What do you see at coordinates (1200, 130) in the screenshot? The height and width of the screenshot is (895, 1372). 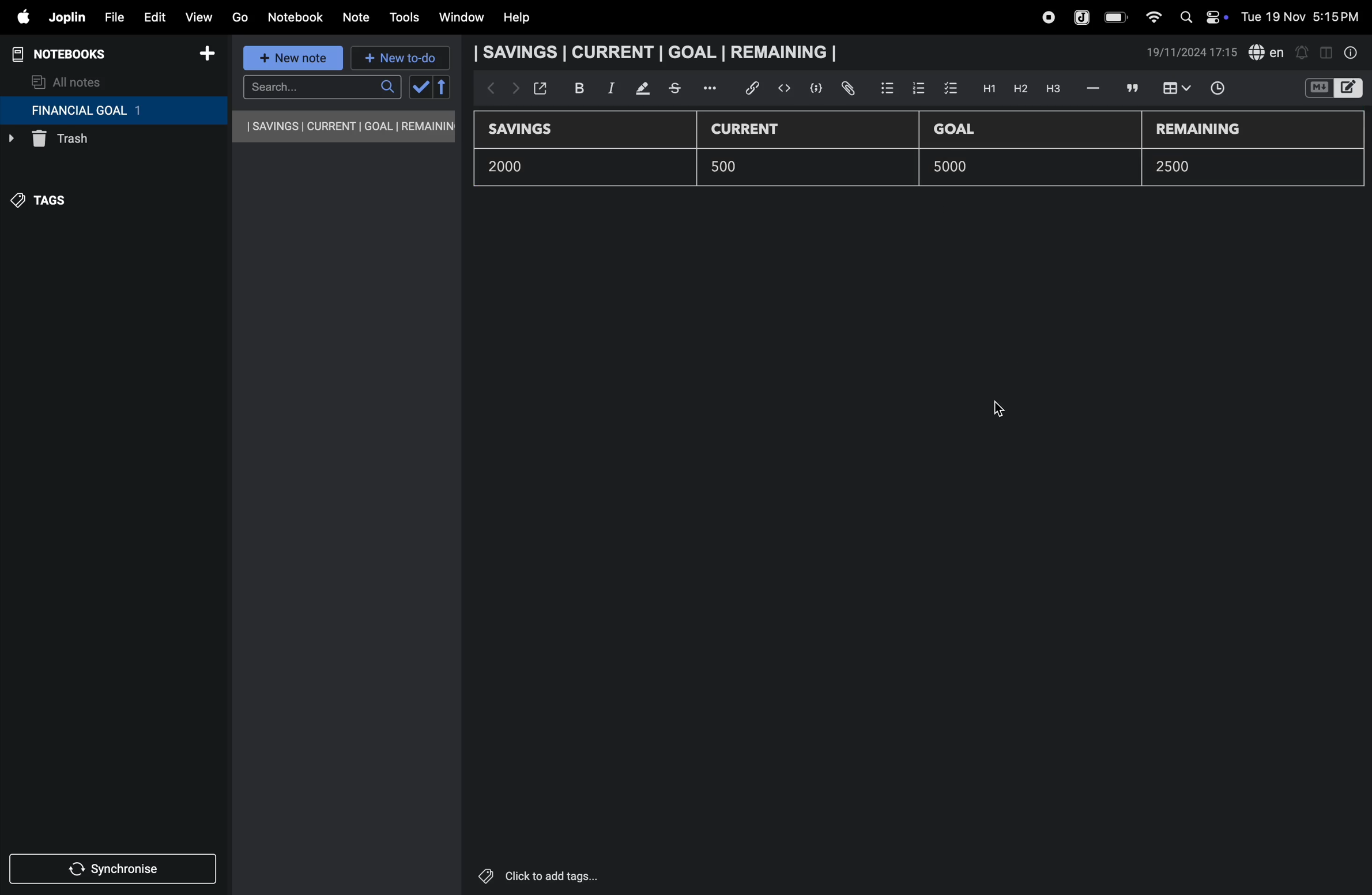 I see `remaining` at bounding box center [1200, 130].